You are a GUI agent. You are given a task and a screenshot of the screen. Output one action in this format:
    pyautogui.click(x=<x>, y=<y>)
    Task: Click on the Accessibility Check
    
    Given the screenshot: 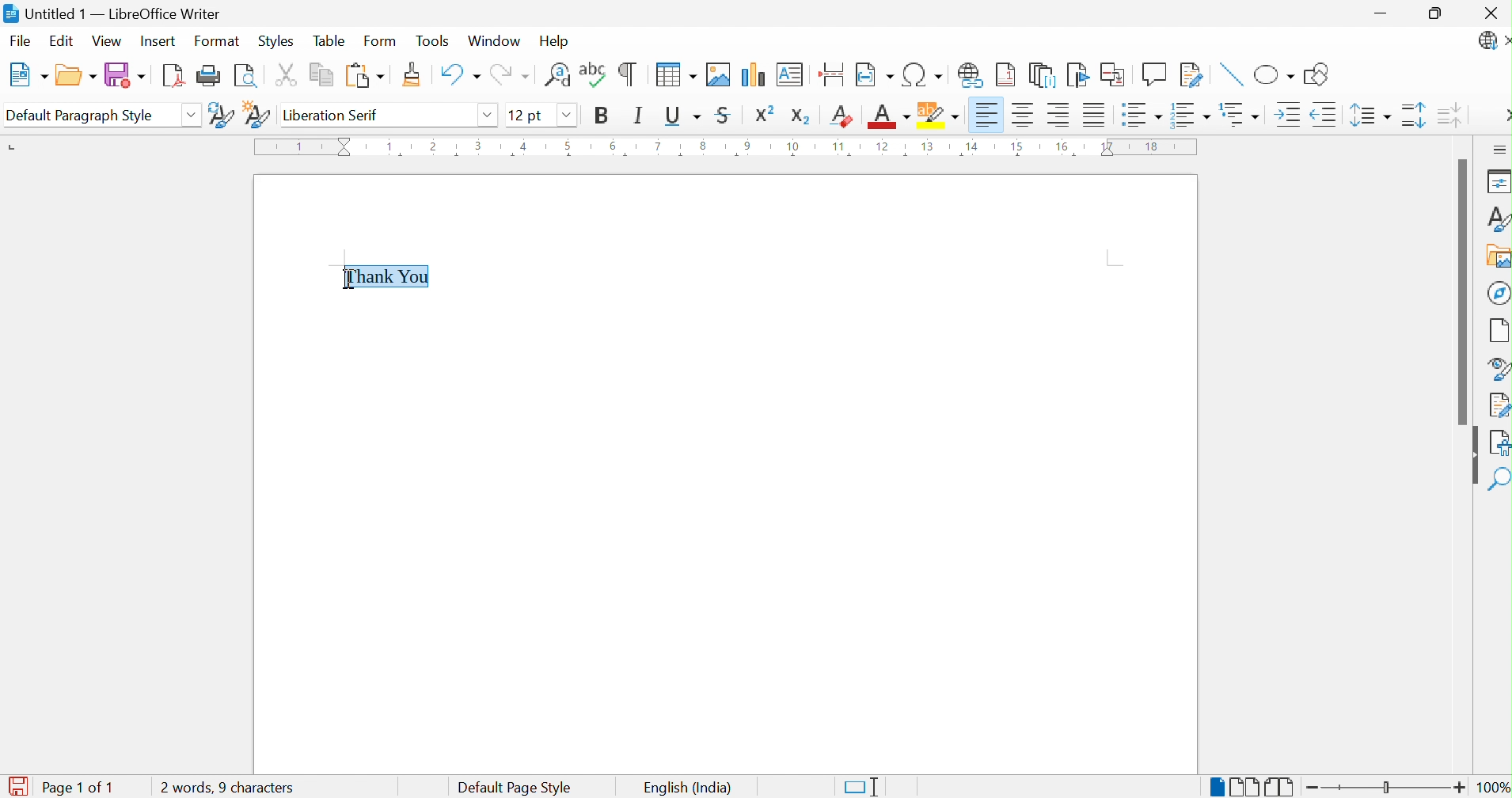 What is the action you would take?
    pyautogui.click(x=1499, y=444)
    